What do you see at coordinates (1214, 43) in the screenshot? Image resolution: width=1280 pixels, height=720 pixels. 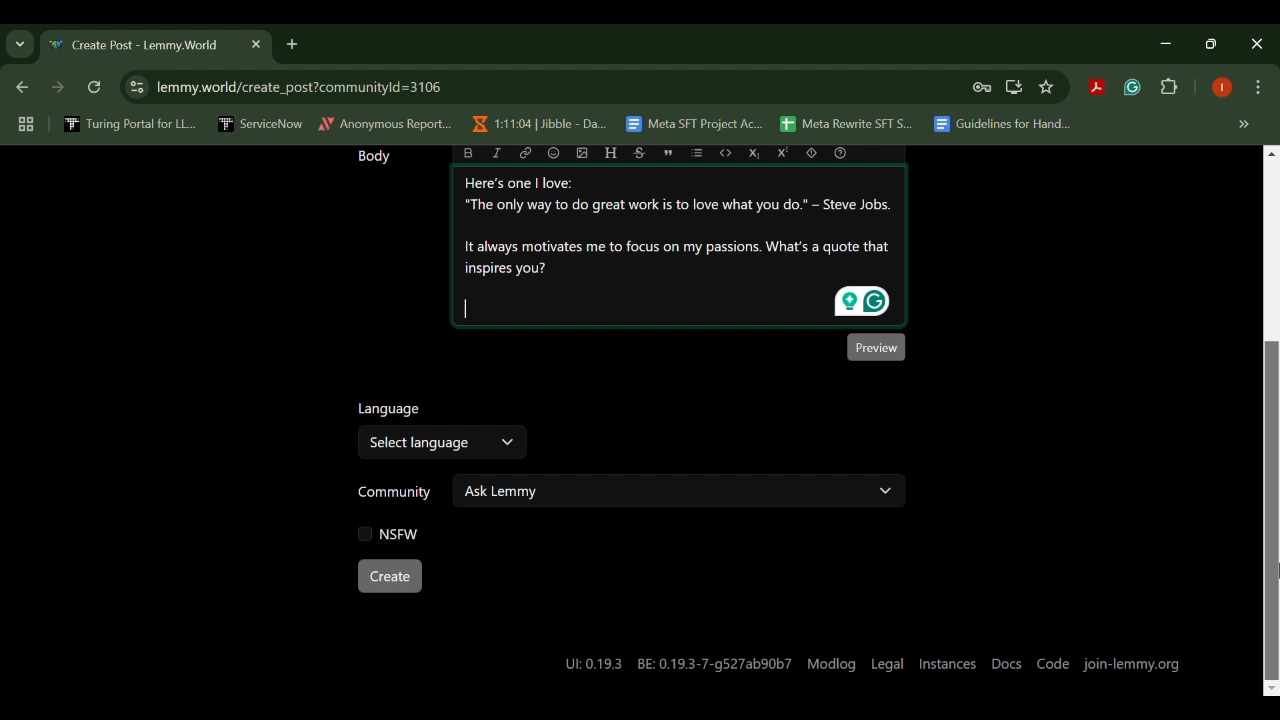 I see `Minimize Window` at bounding box center [1214, 43].